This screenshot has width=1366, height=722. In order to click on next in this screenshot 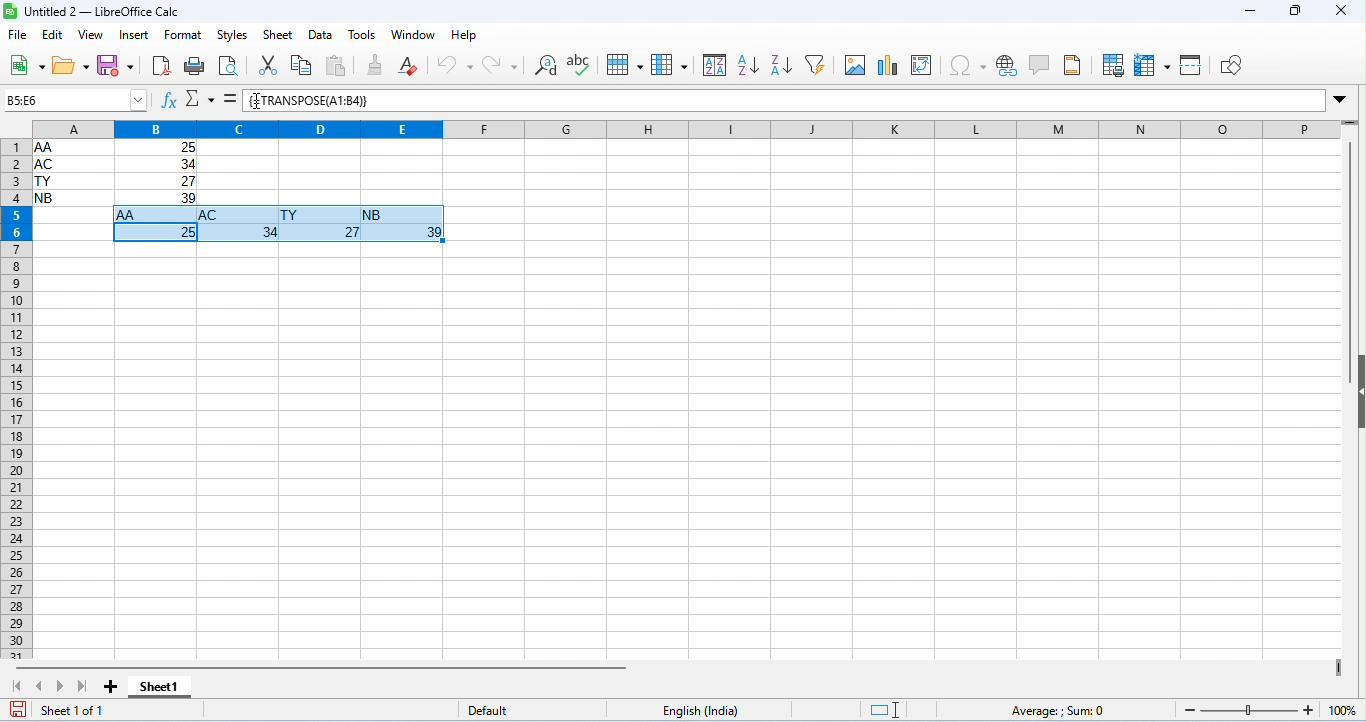, I will do `click(61, 685)`.